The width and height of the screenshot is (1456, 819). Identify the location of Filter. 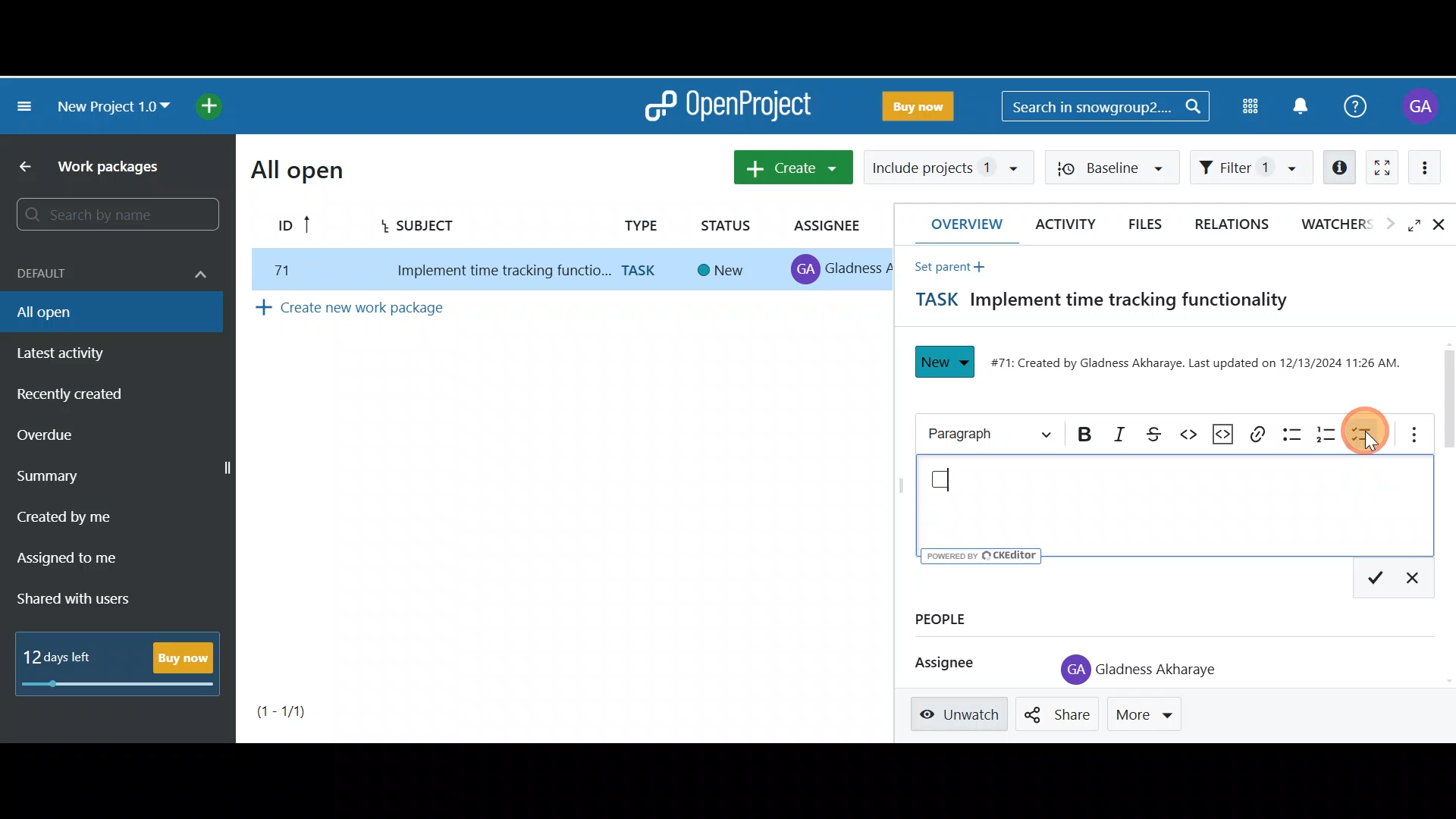
(1254, 168).